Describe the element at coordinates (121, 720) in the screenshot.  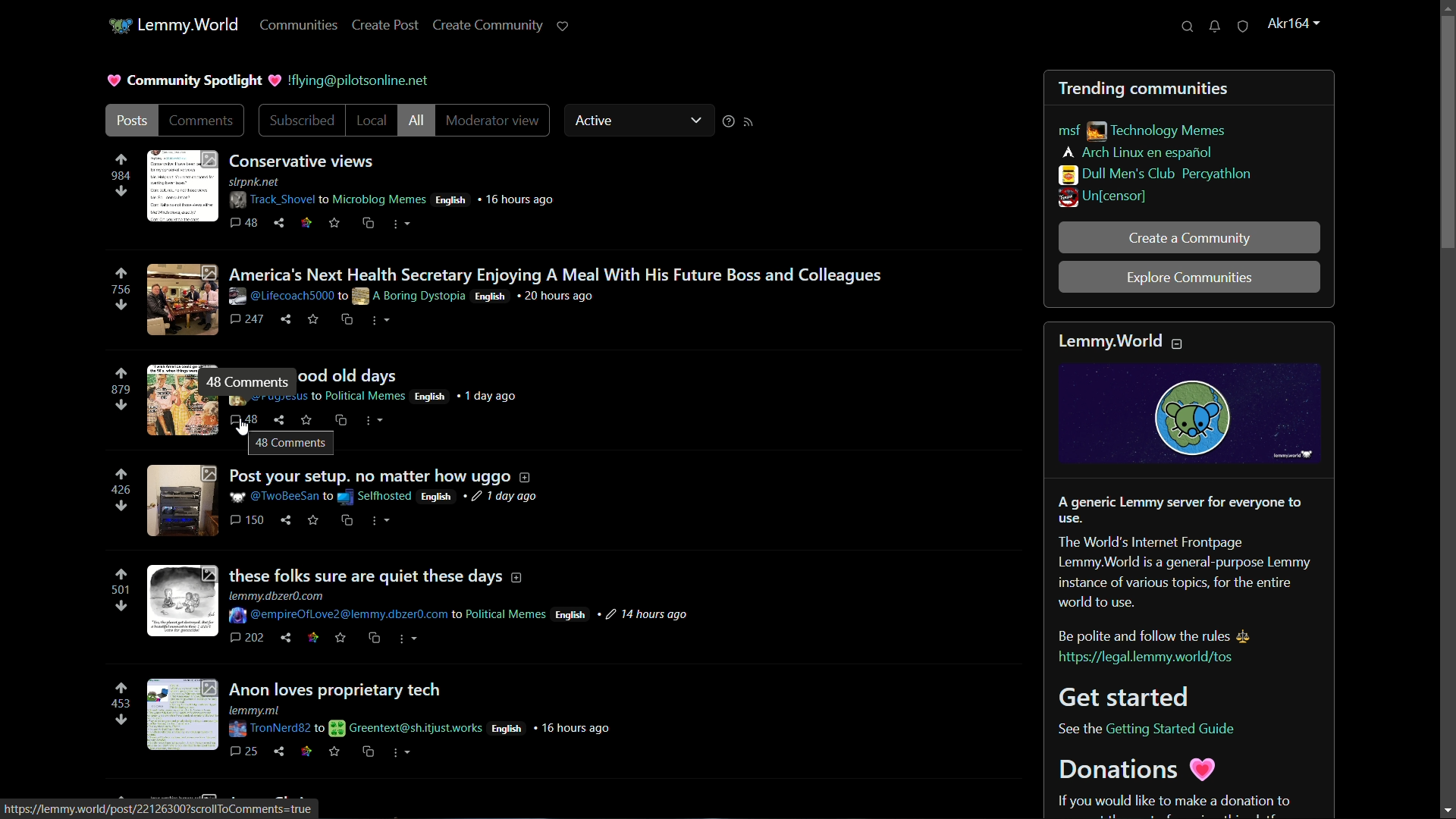
I see `downvote` at that location.